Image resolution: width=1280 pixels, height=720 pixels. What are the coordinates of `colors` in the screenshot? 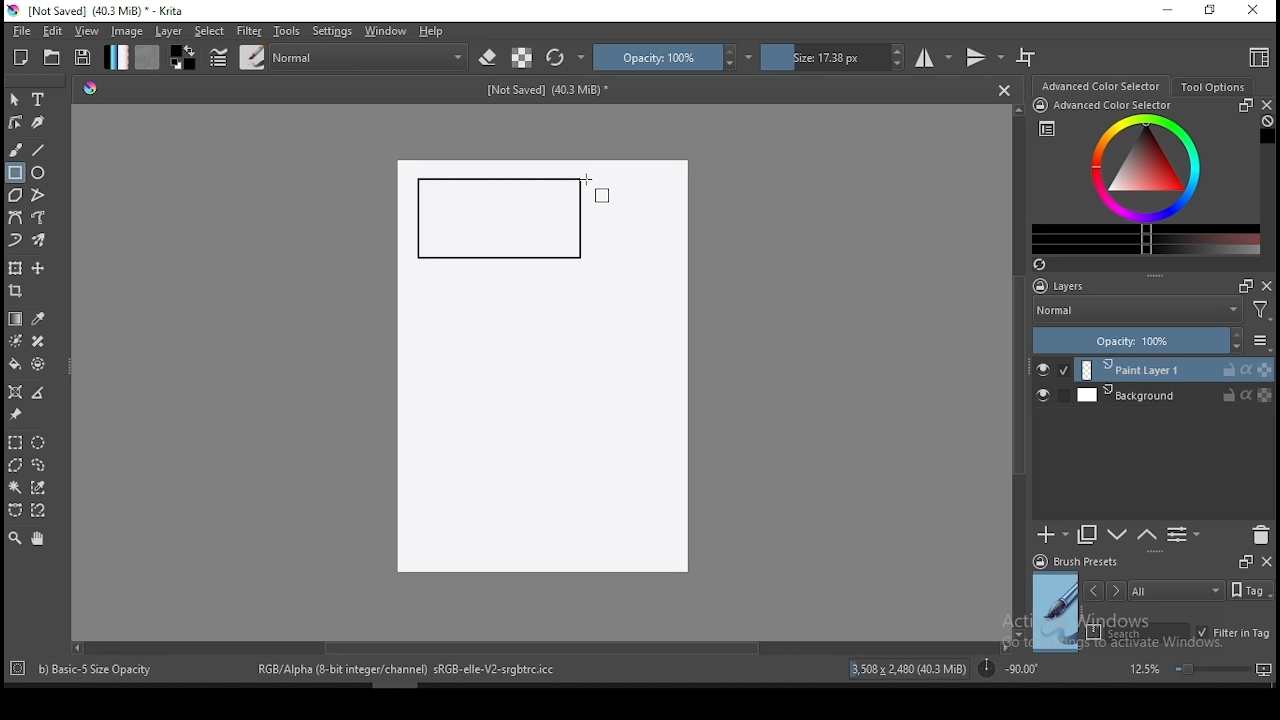 It's located at (183, 57).